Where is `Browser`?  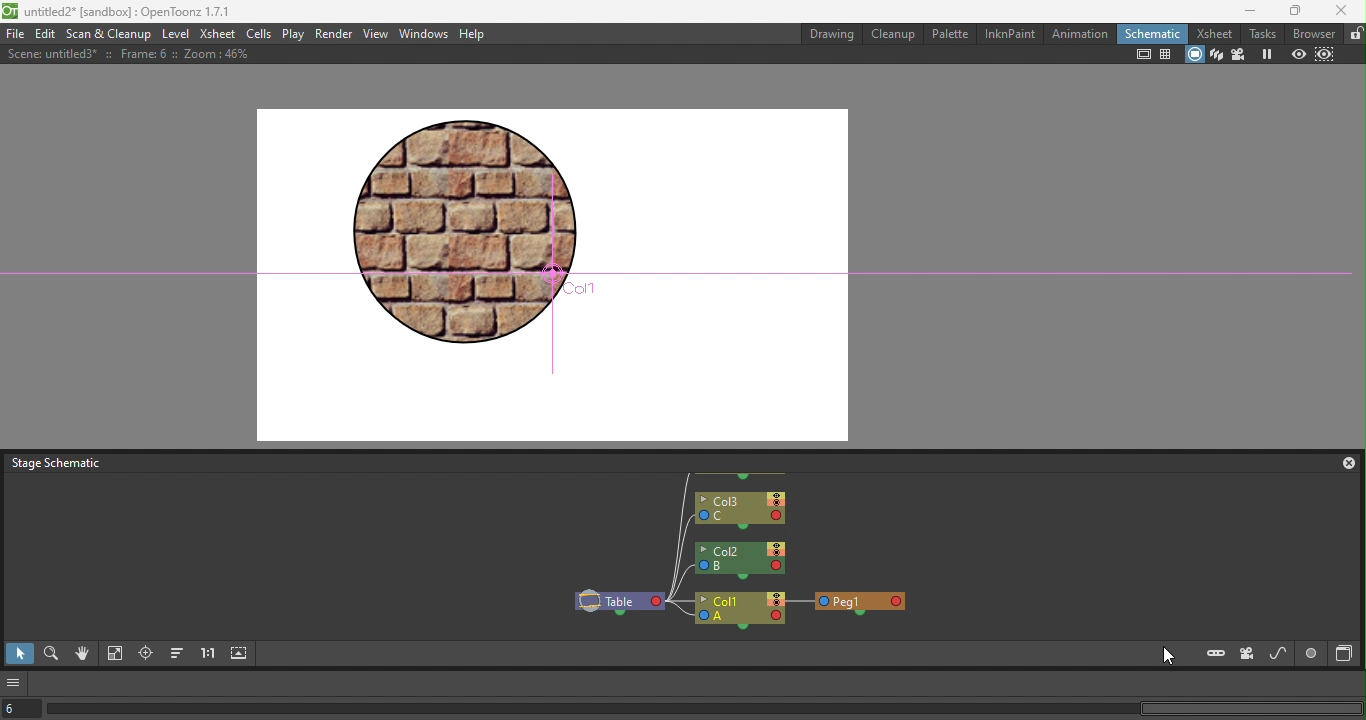
Browser is located at coordinates (1314, 34).